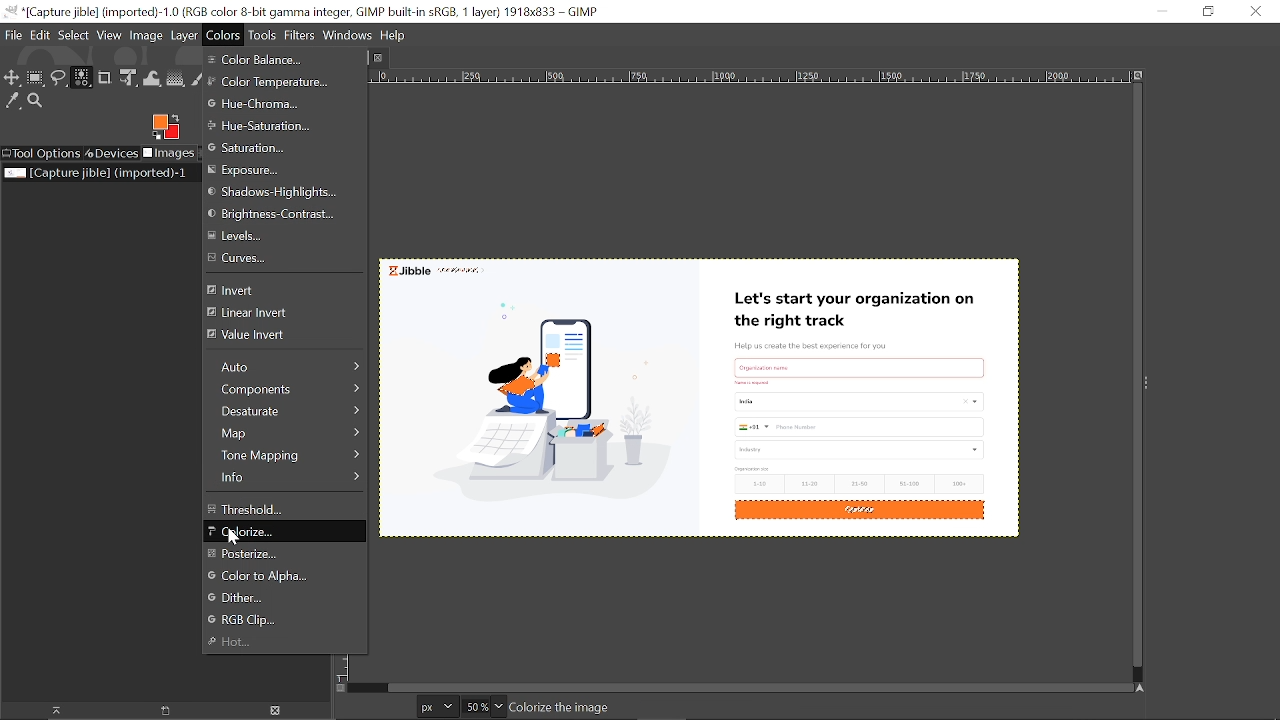 This screenshot has height=720, width=1280. I want to click on tools, so click(260, 36).